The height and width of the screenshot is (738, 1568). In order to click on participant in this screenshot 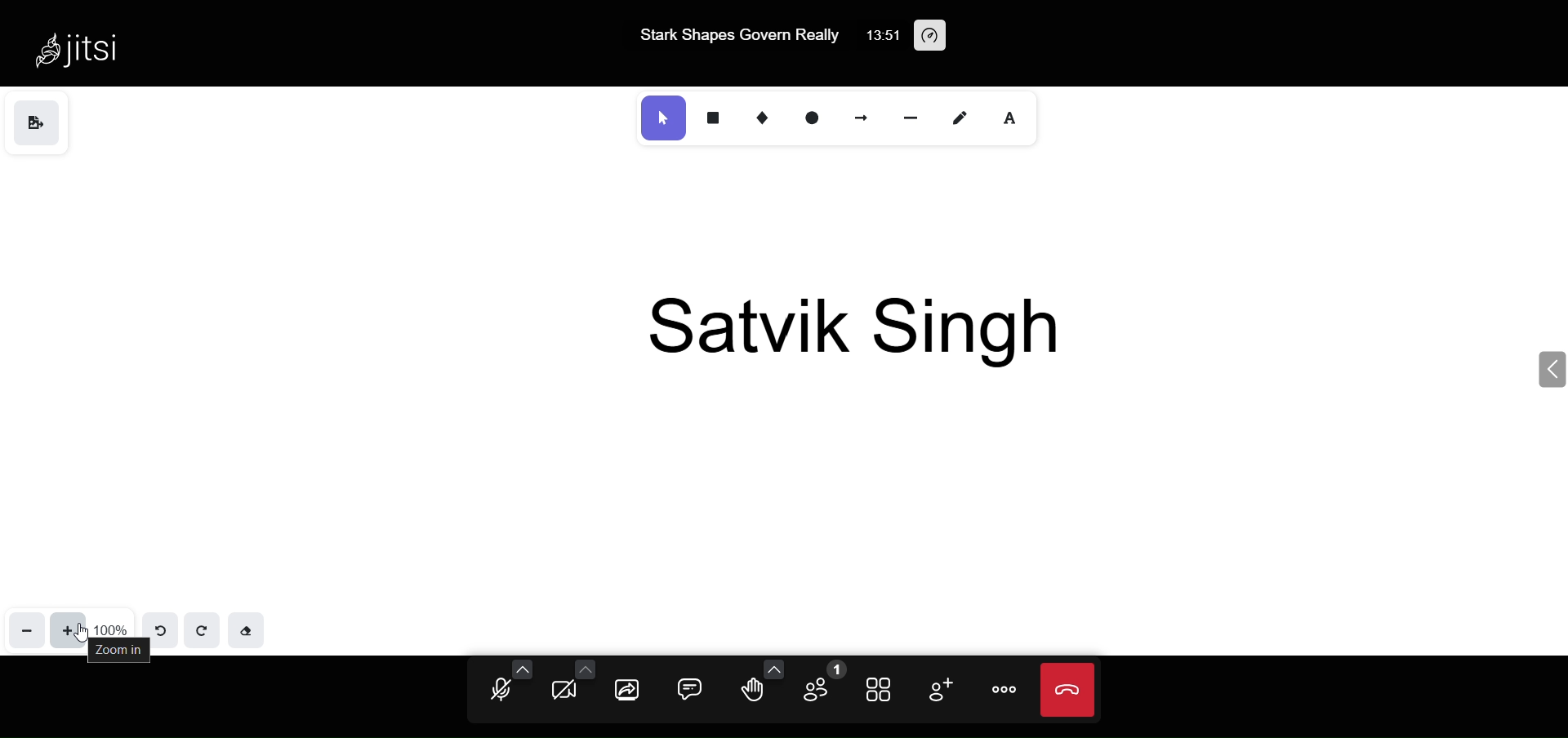, I will do `click(822, 687)`.